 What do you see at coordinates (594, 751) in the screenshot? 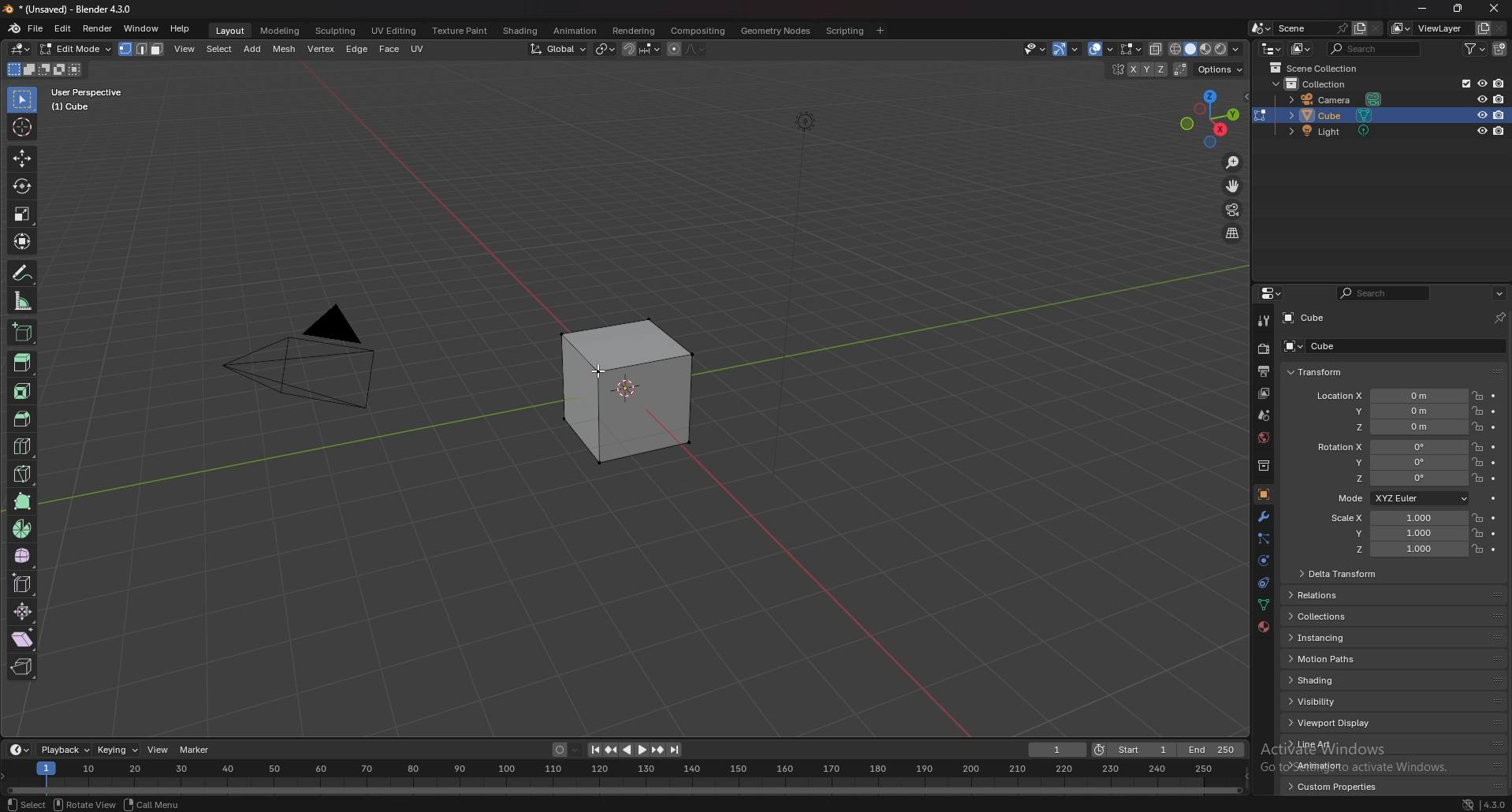
I see `jump to endpoint` at bounding box center [594, 751].